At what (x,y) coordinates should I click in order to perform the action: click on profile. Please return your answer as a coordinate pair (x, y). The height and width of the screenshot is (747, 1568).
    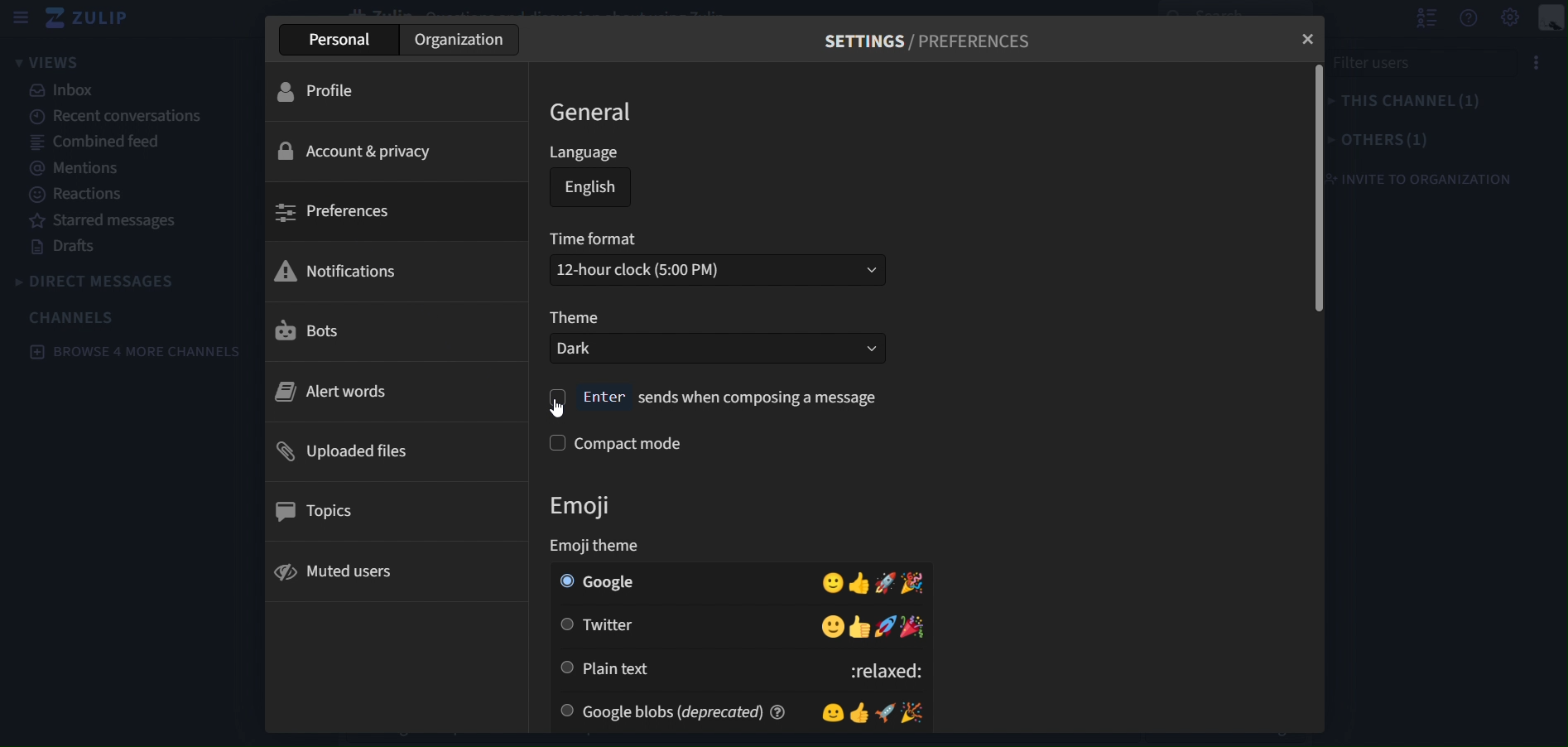
    Looking at the image, I should click on (393, 92).